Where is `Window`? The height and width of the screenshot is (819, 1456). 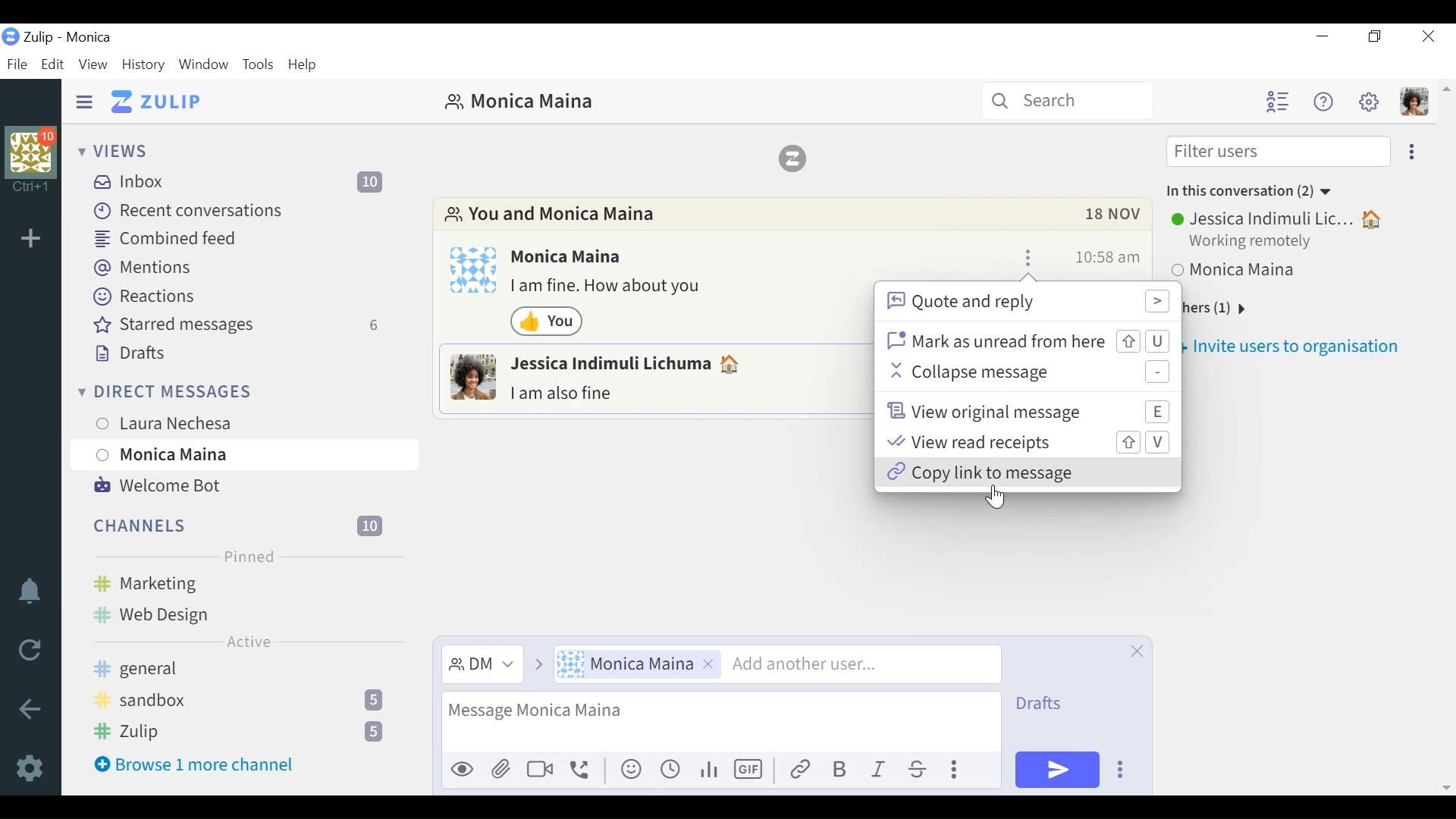
Window is located at coordinates (204, 65).